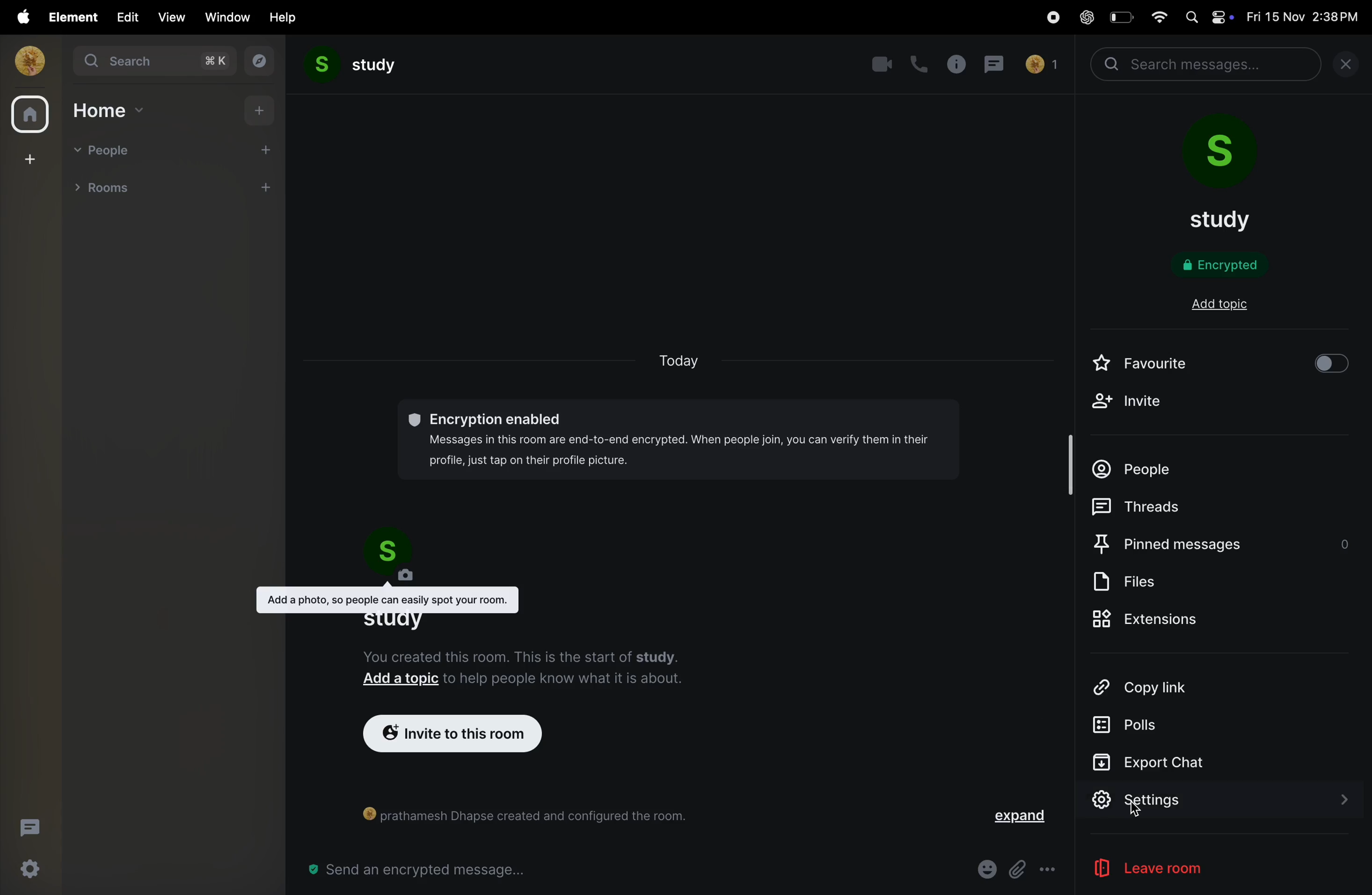  I want to click on Export Chat, so click(1150, 762).